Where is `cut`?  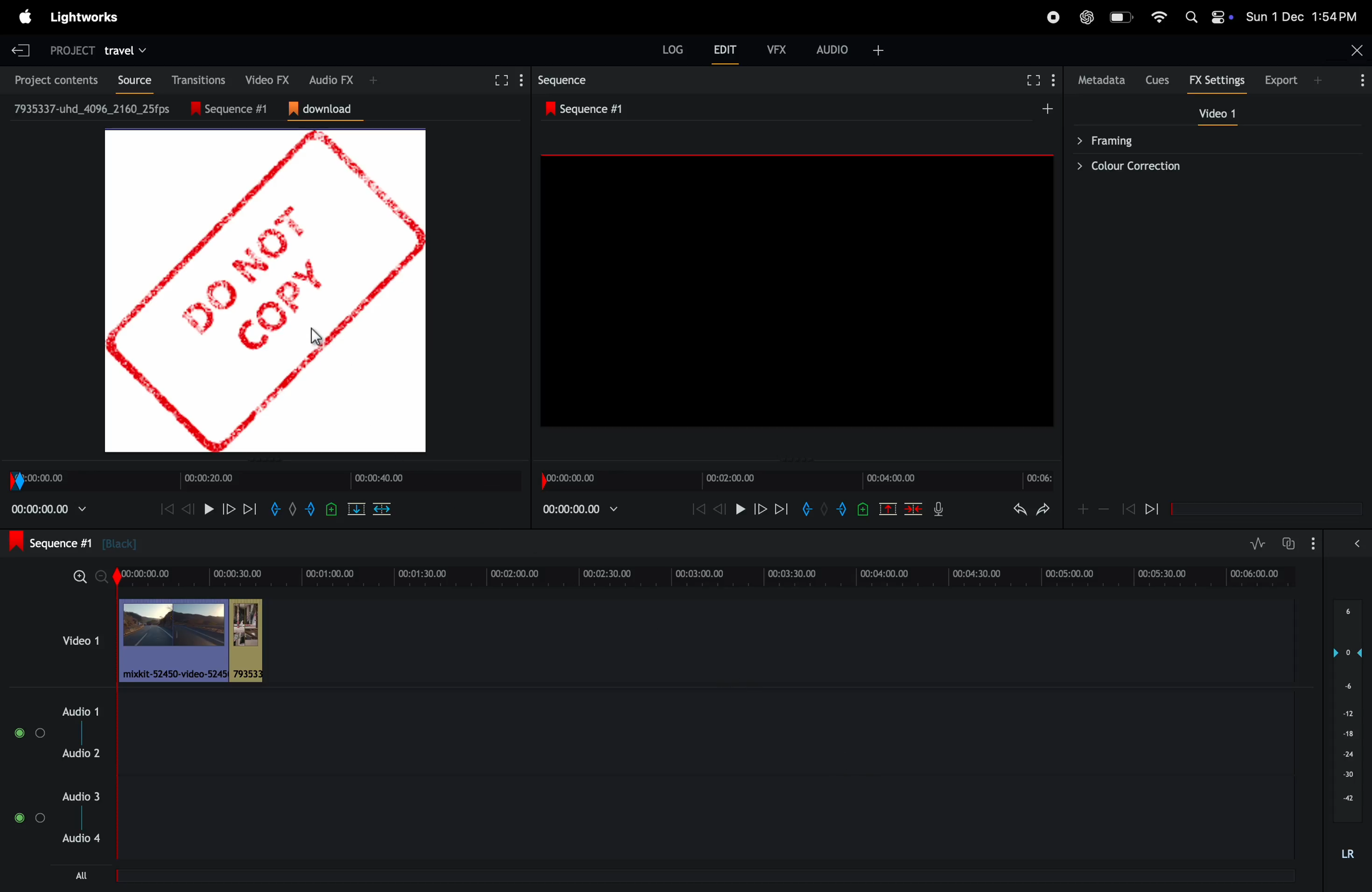
cut is located at coordinates (888, 508).